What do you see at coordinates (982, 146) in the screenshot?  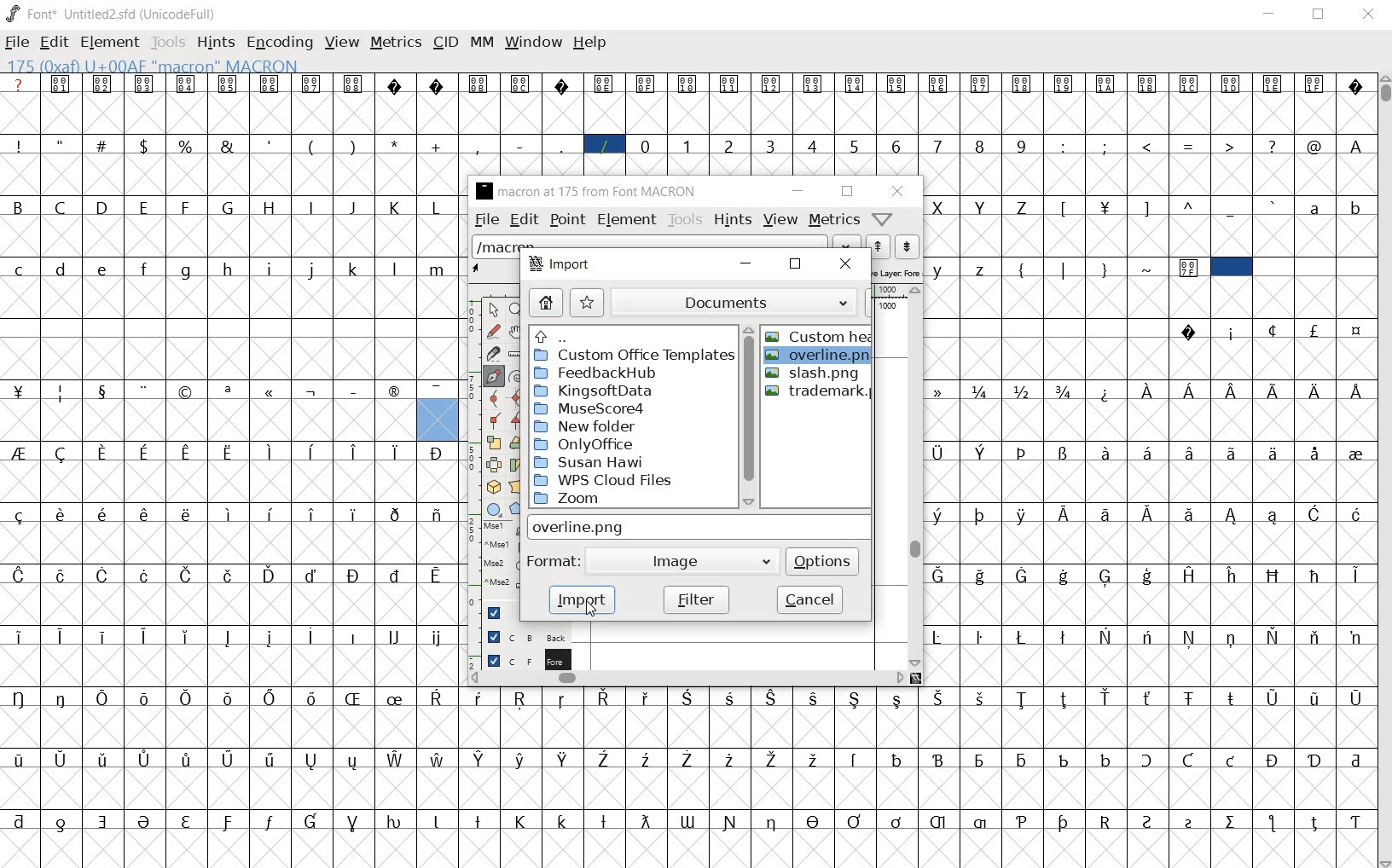 I see `8` at bounding box center [982, 146].